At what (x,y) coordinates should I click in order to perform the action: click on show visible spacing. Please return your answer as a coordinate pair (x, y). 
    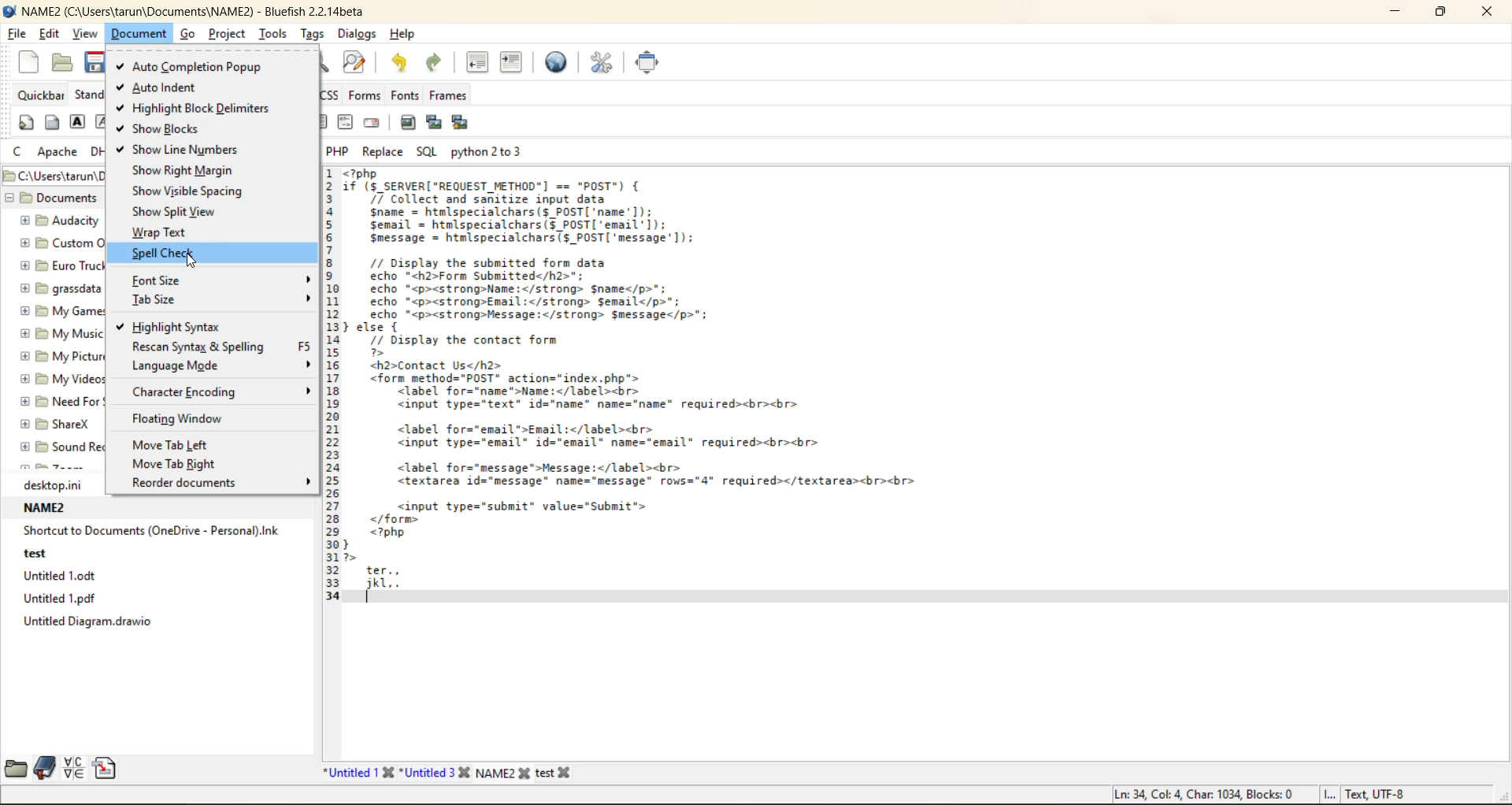
    Looking at the image, I should click on (191, 190).